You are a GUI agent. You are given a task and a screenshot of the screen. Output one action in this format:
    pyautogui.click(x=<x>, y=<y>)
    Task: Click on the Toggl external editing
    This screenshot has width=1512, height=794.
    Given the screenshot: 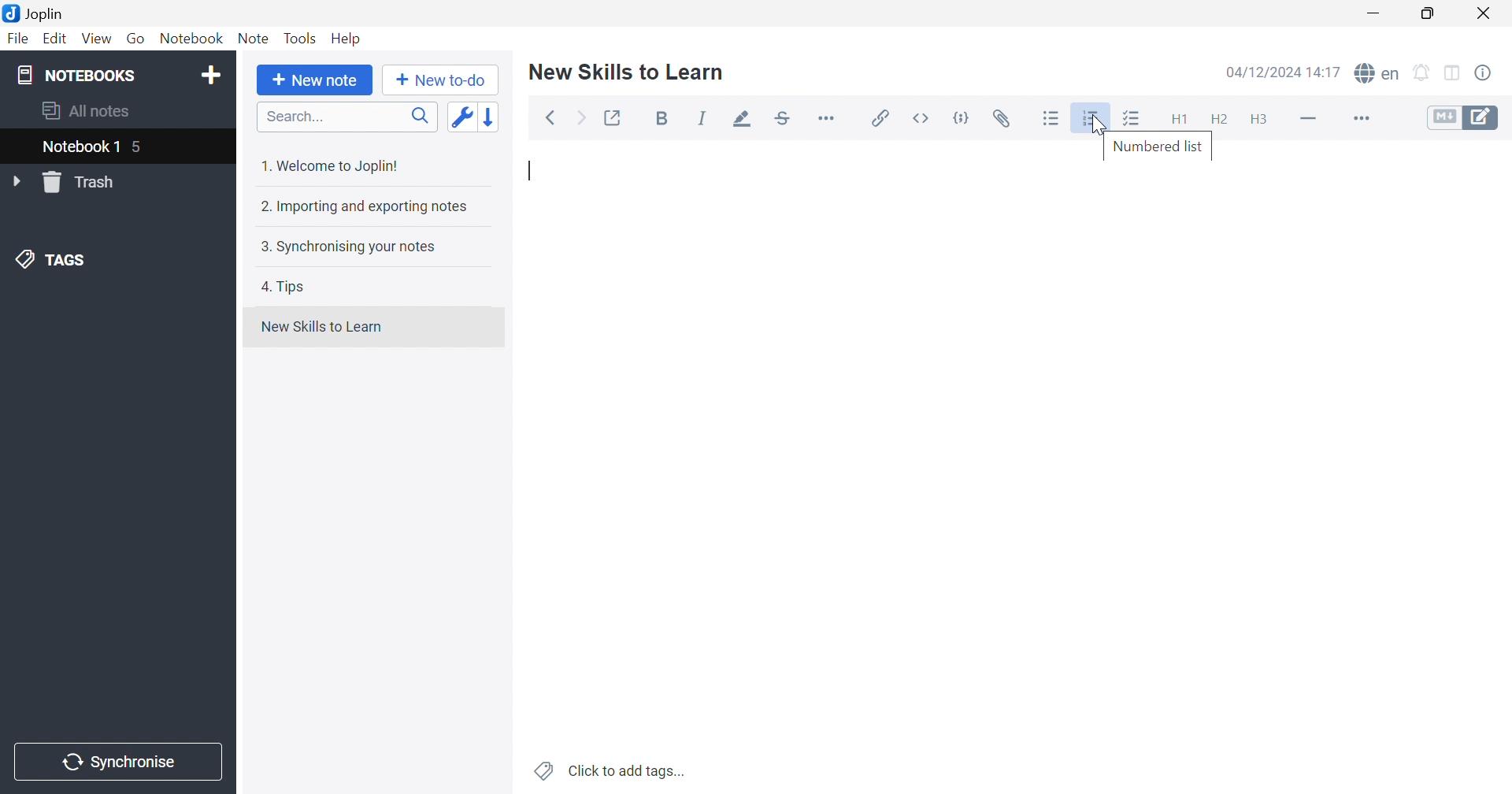 What is the action you would take?
    pyautogui.click(x=614, y=118)
    